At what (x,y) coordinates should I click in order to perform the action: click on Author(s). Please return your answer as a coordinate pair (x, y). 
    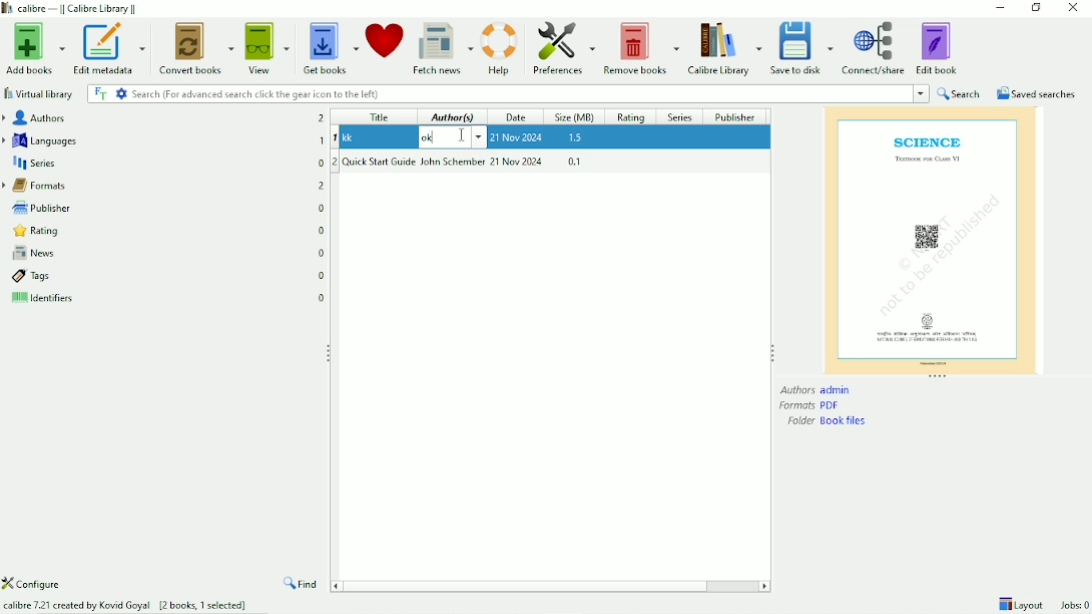
    Looking at the image, I should click on (453, 116).